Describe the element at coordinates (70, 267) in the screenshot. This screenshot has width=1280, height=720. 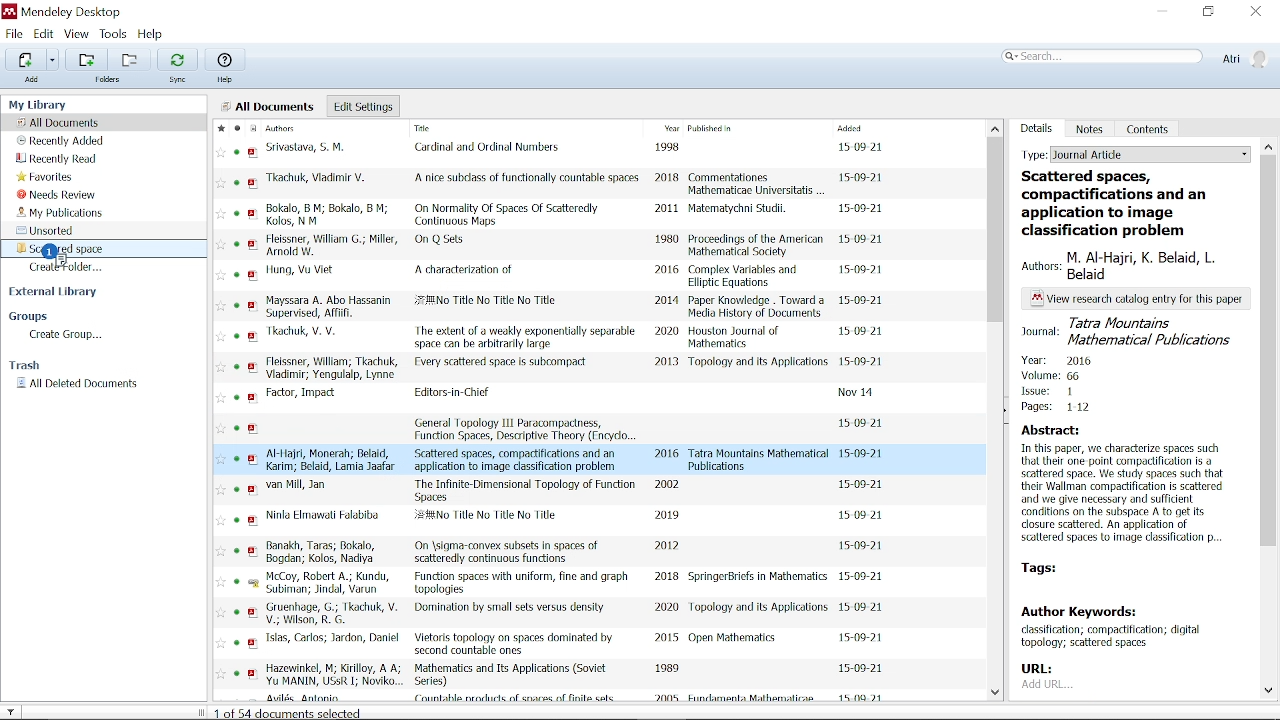
I see `Create folder` at that location.